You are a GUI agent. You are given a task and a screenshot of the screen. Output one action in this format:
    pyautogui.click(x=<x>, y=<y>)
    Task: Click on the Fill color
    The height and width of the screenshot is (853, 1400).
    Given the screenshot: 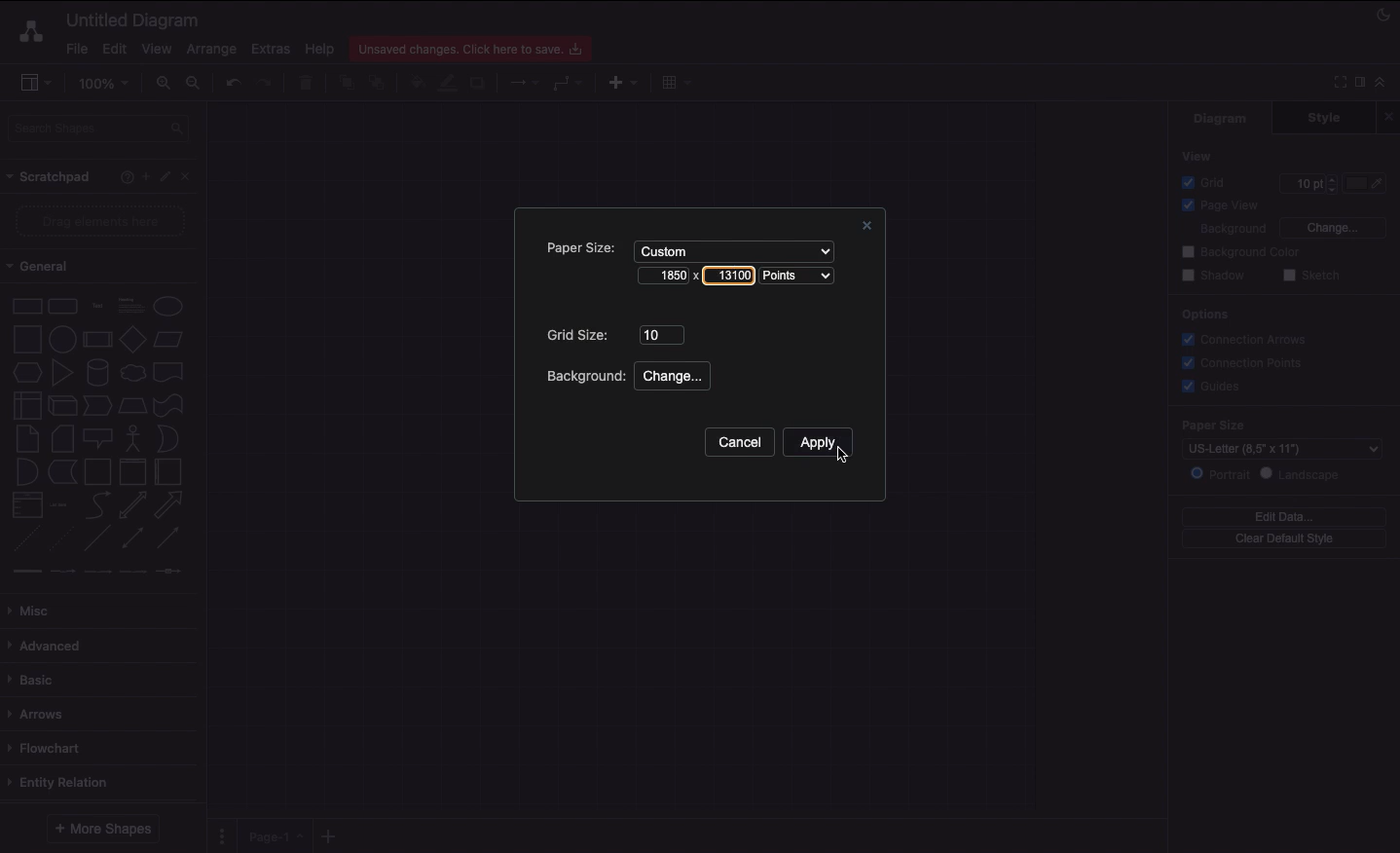 What is the action you would take?
    pyautogui.click(x=416, y=85)
    